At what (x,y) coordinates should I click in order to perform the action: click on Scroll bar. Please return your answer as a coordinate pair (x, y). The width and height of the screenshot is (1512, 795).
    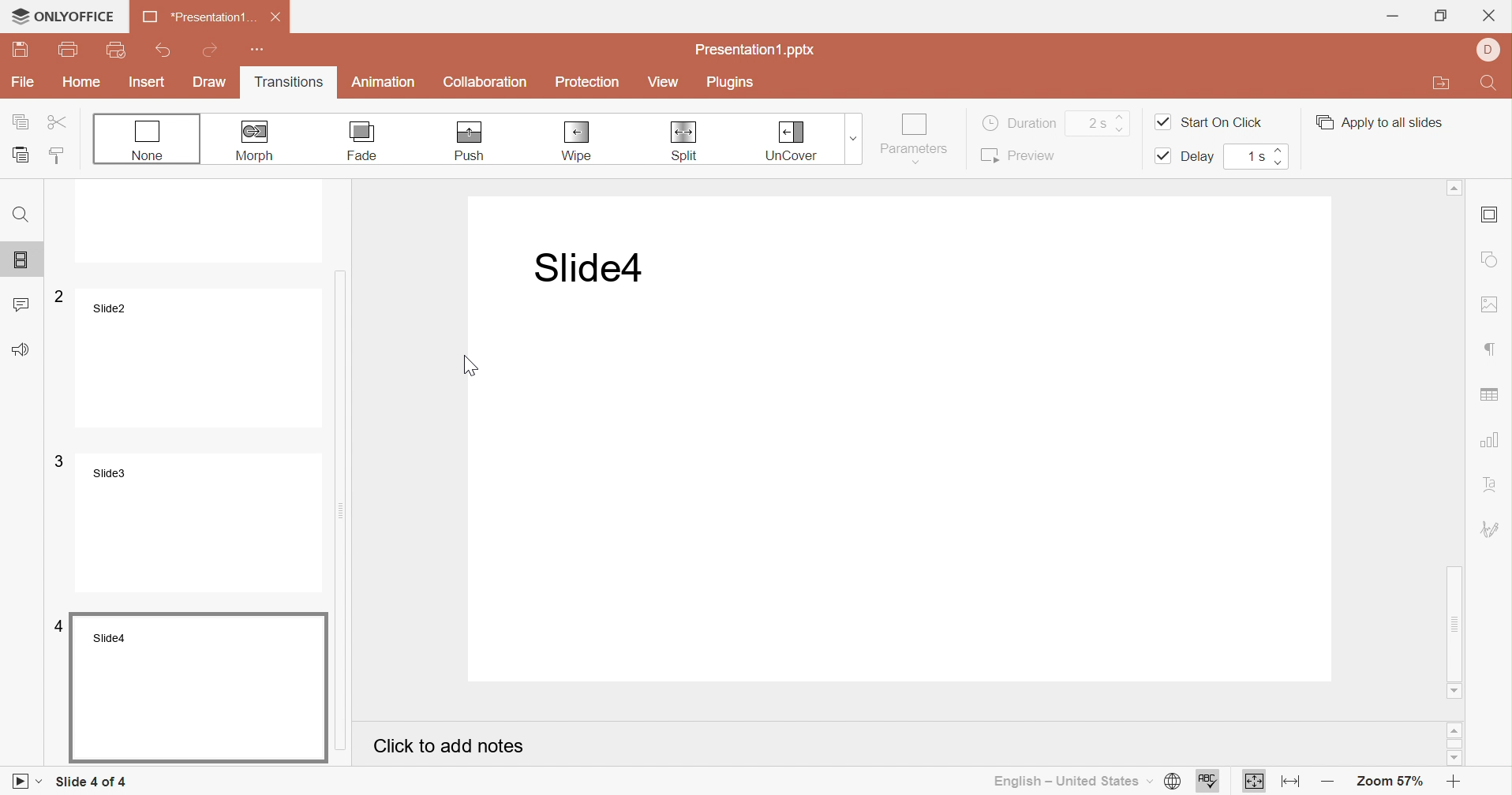
    Looking at the image, I should click on (1454, 746).